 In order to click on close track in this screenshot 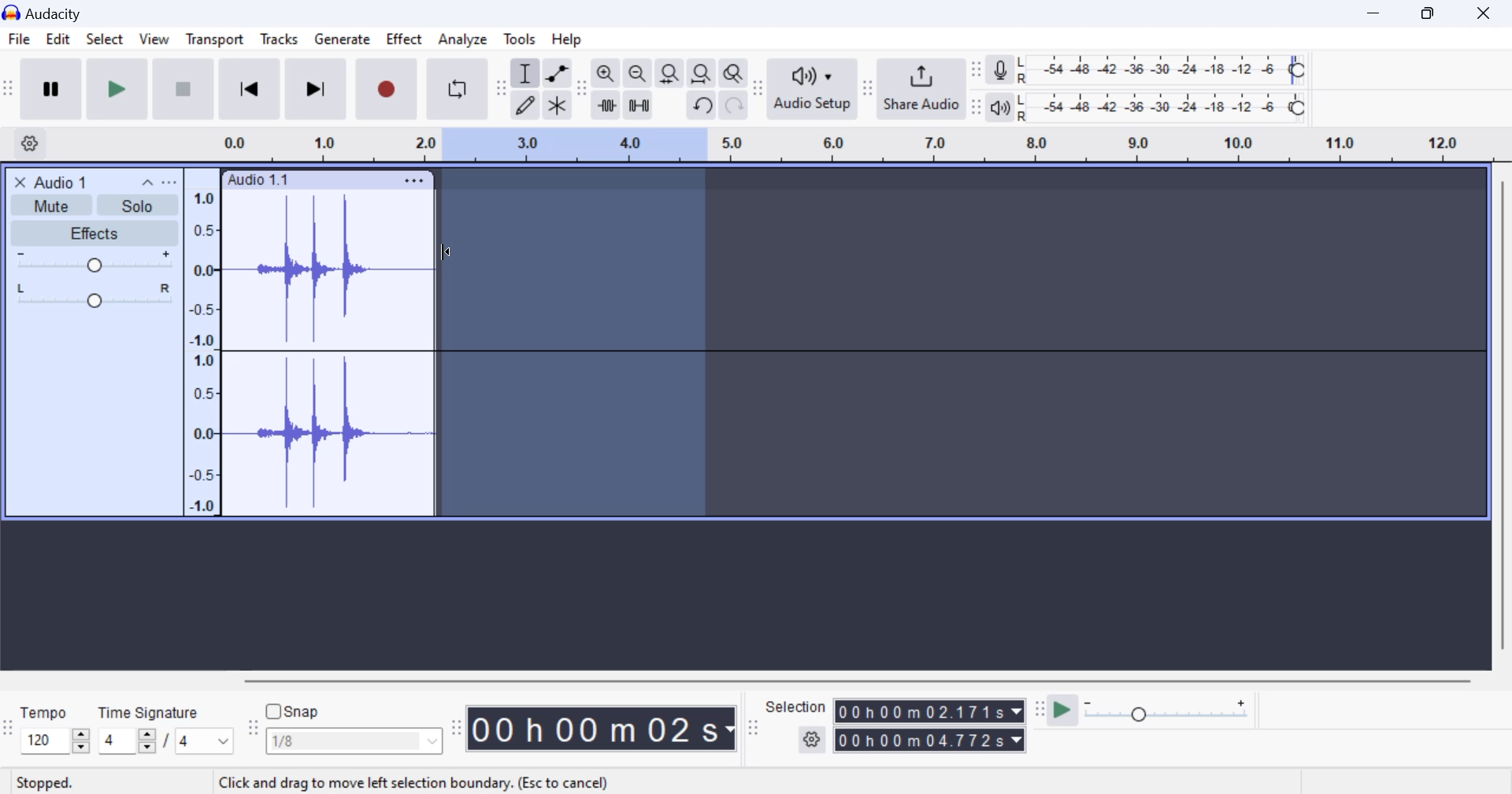, I will do `click(20, 181)`.